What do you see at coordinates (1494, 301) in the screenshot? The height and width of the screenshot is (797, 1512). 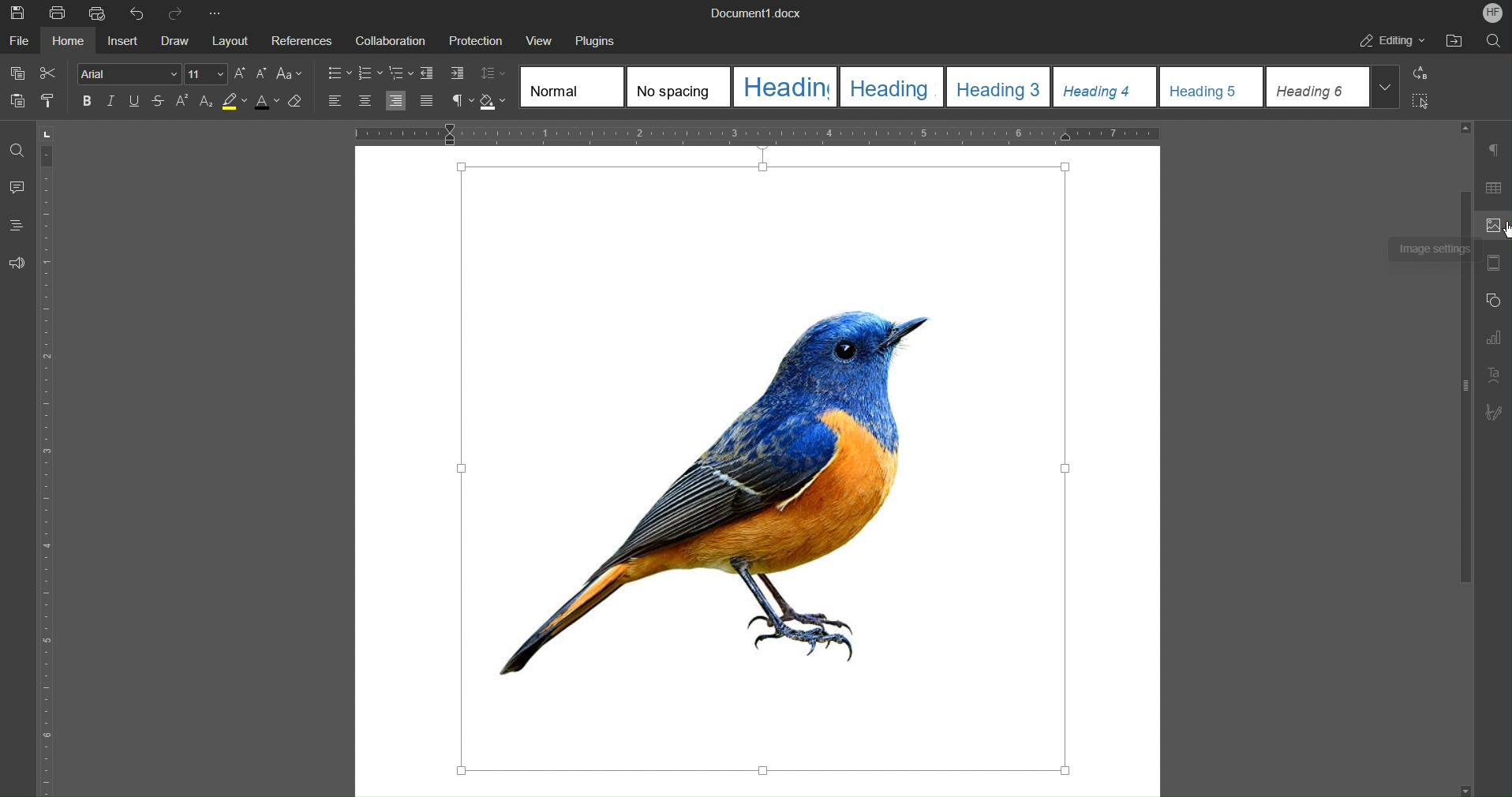 I see `Shape Settings` at bounding box center [1494, 301].